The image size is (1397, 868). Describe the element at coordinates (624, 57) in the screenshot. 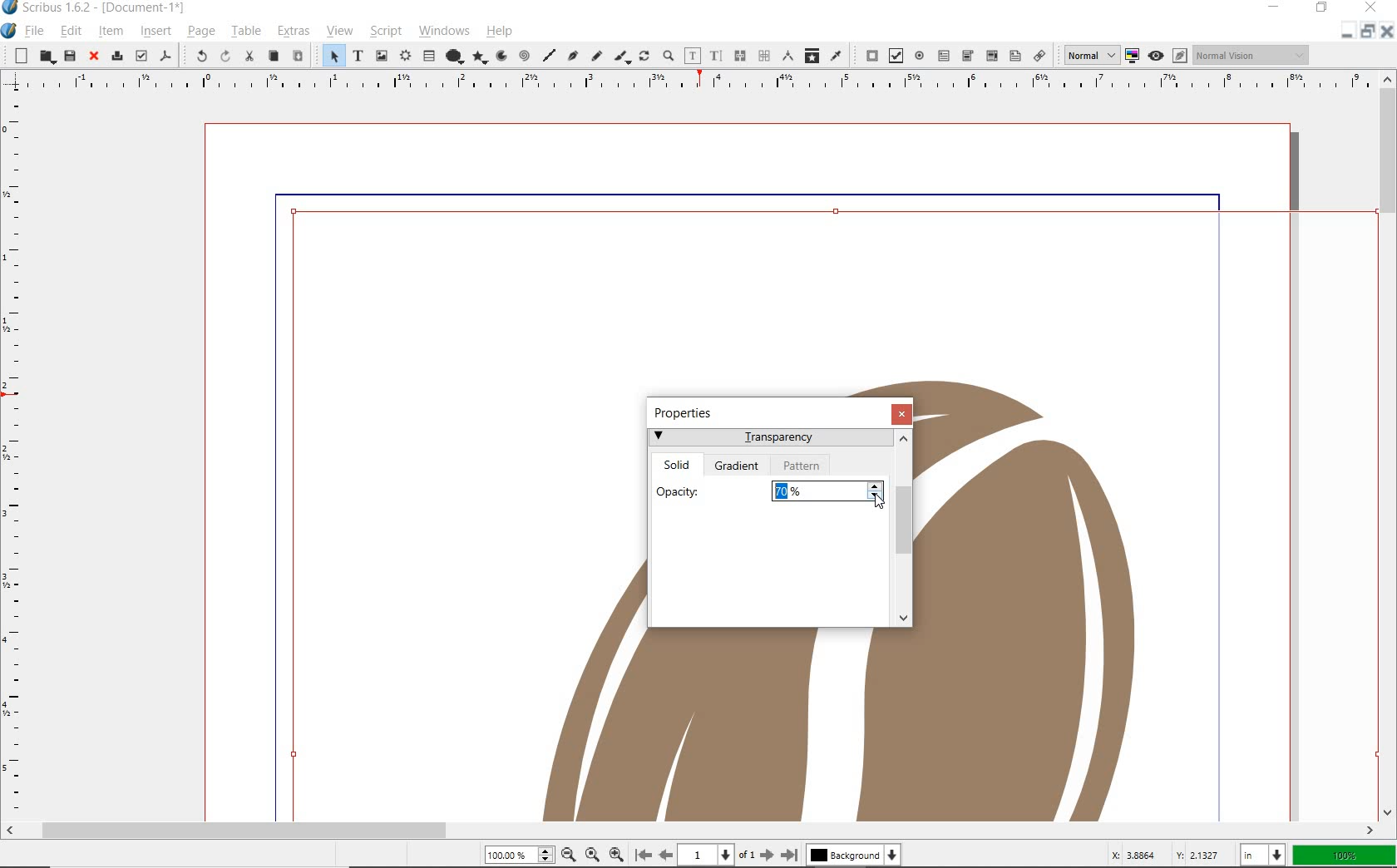

I see `calligraphic line` at that location.